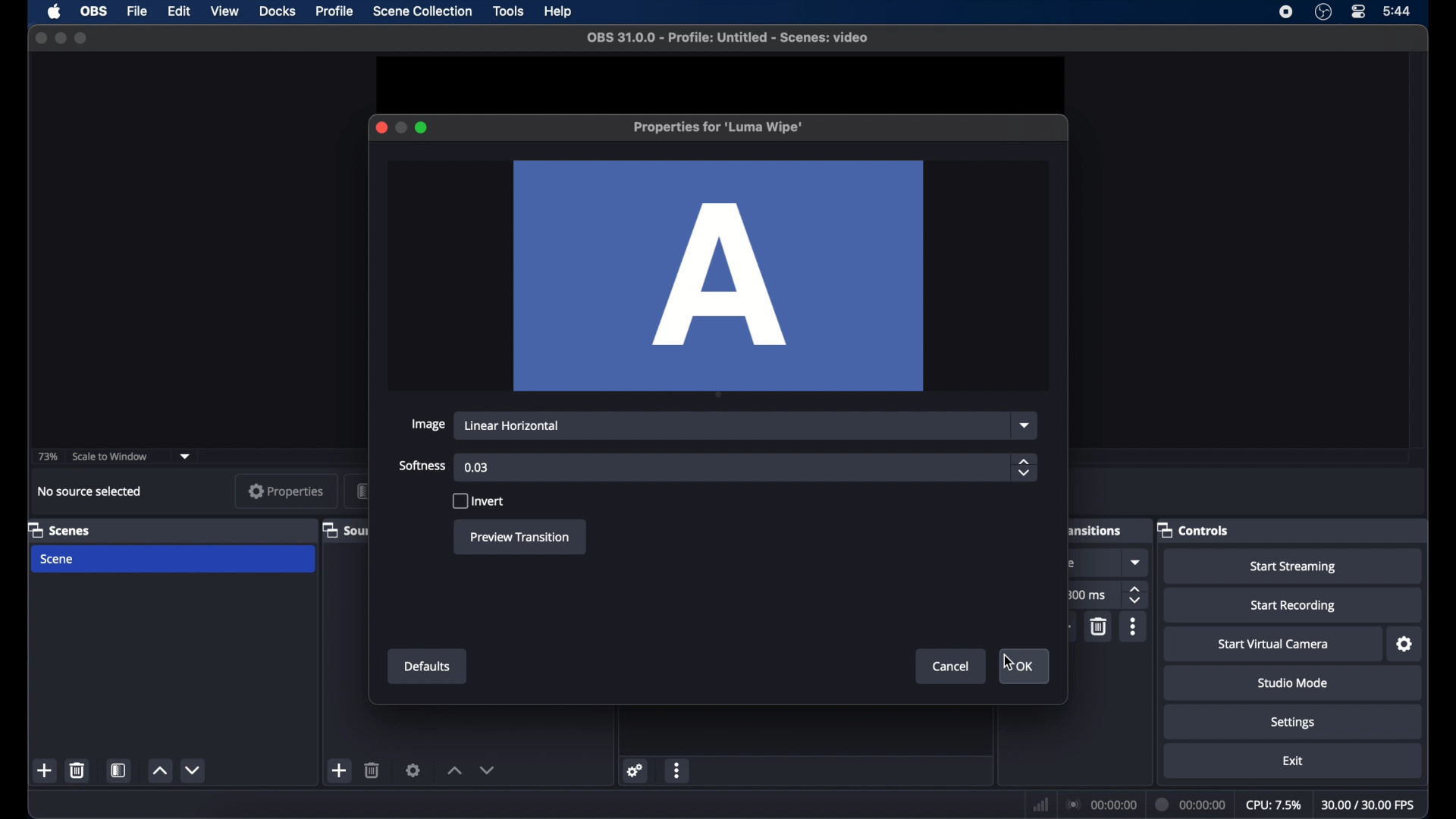 Image resolution: width=1456 pixels, height=819 pixels. What do you see at coordinates (1096, 530) in the screenshot?
I see `scene transitions` at bounding box center [1096, 530].